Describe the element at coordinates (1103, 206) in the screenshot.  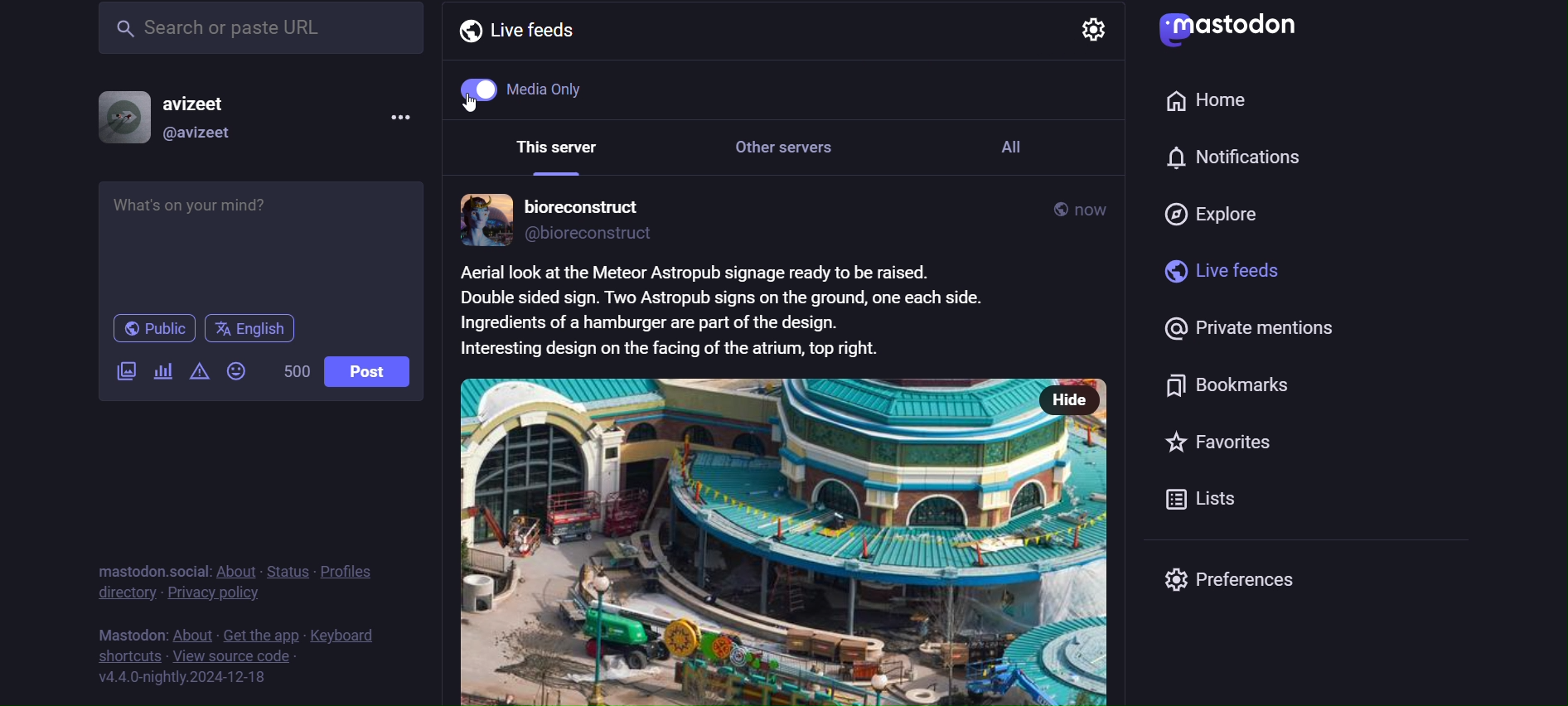
I see `now` at that location.